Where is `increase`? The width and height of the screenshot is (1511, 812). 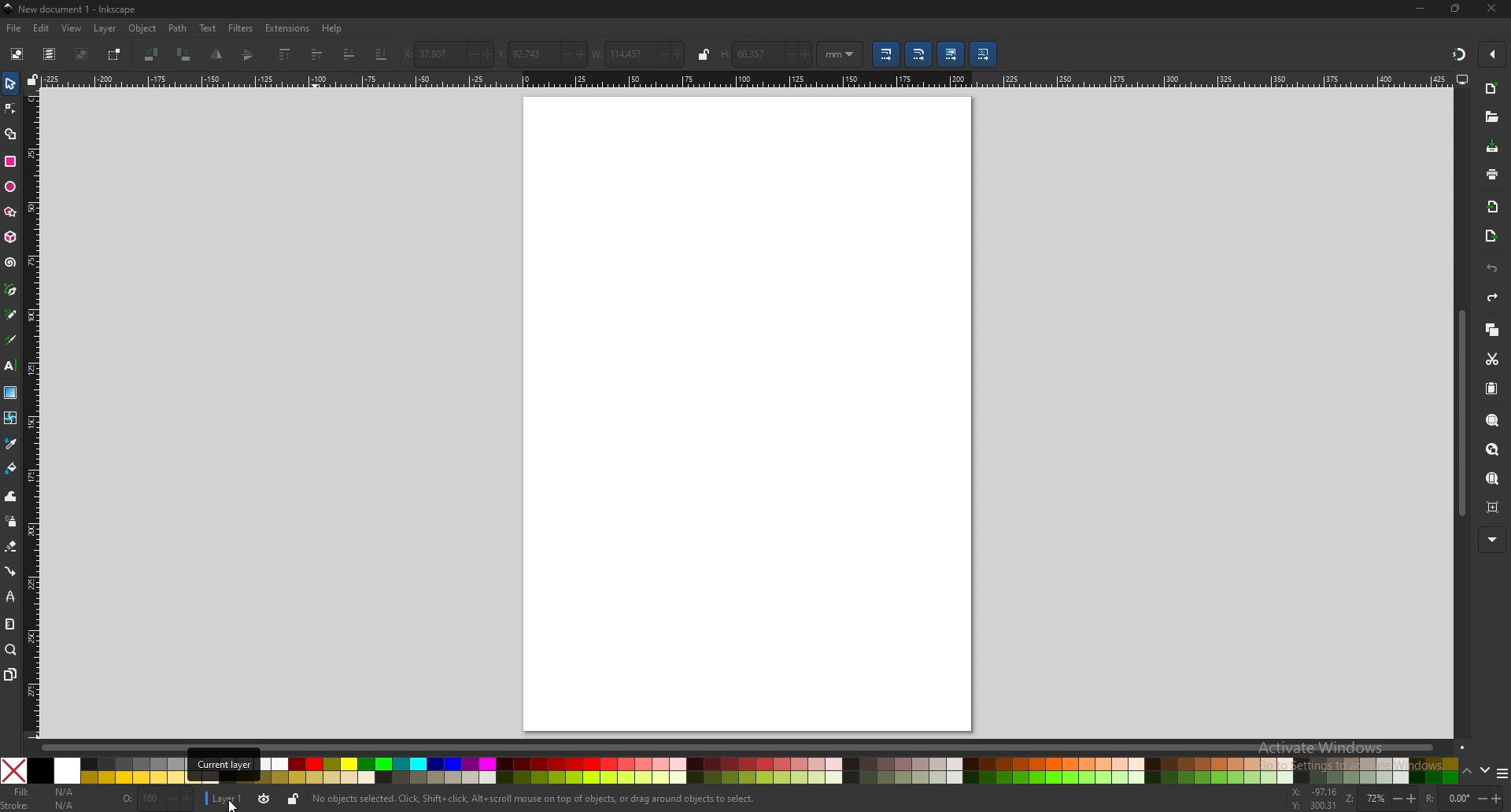 increase is located at coordinates (679, 55).